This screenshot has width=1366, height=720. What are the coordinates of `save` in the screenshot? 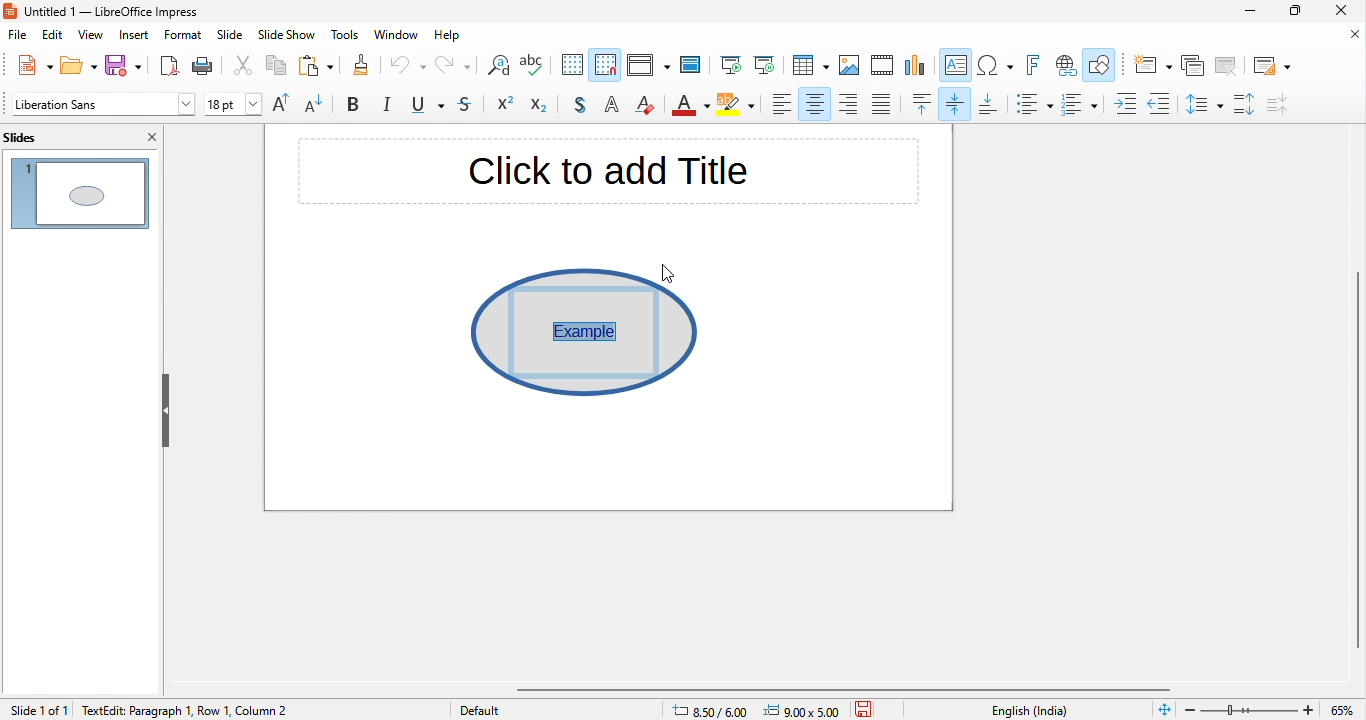 It's located at (123, 67).